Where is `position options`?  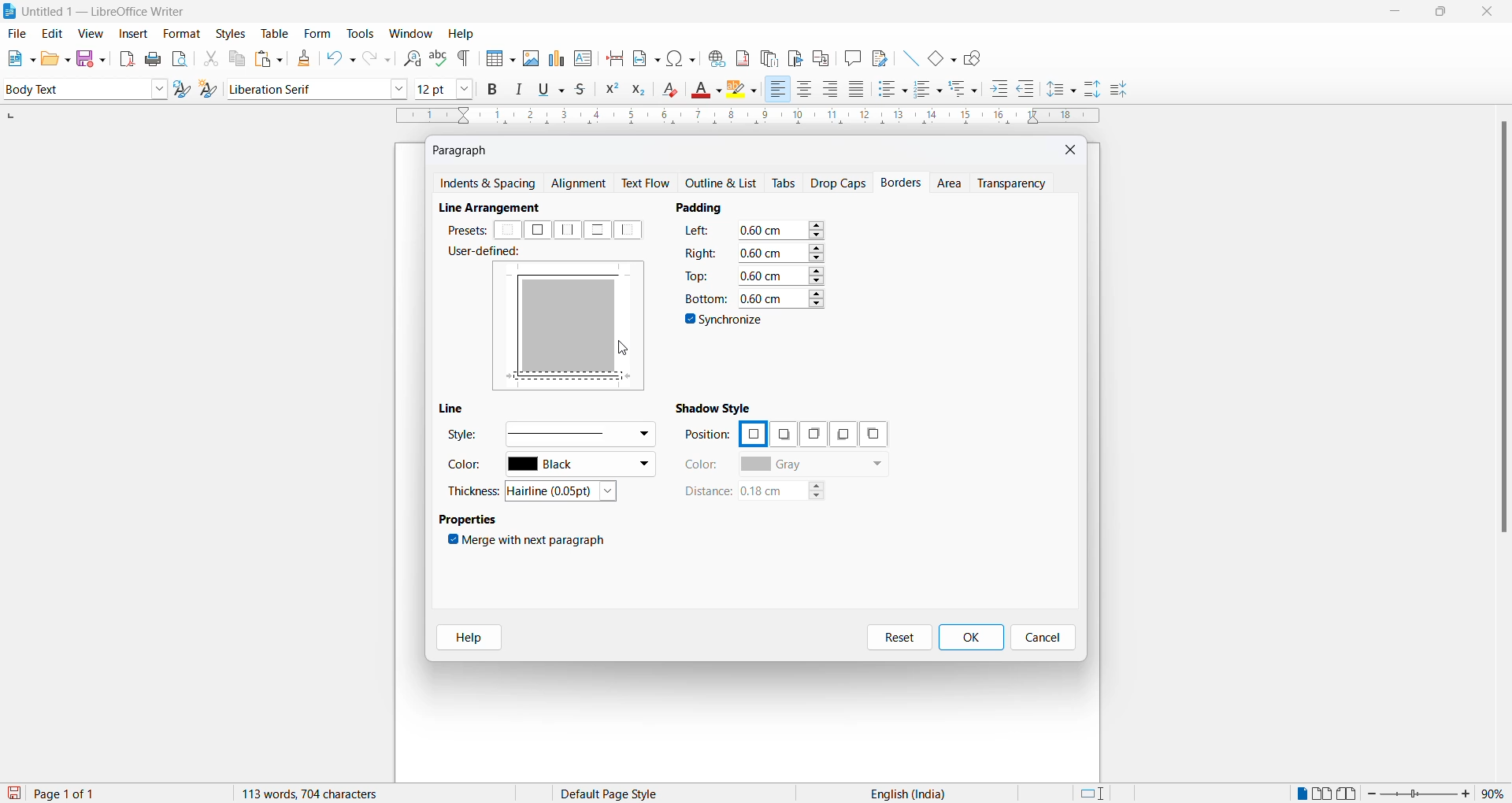
position options is located at coordinates (839, 435).